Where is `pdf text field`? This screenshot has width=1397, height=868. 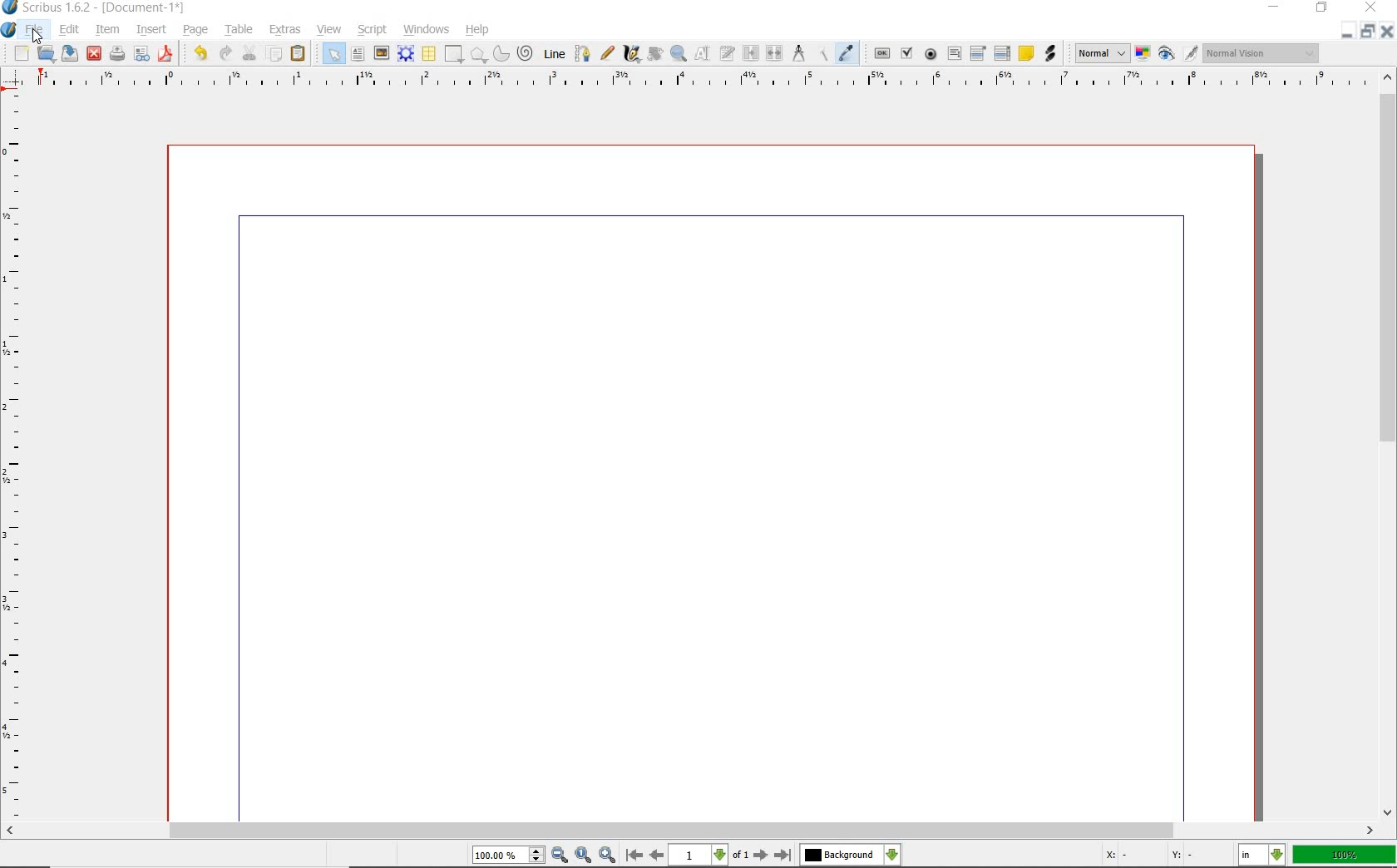
pdf text field is located at coordinates (954, 56).